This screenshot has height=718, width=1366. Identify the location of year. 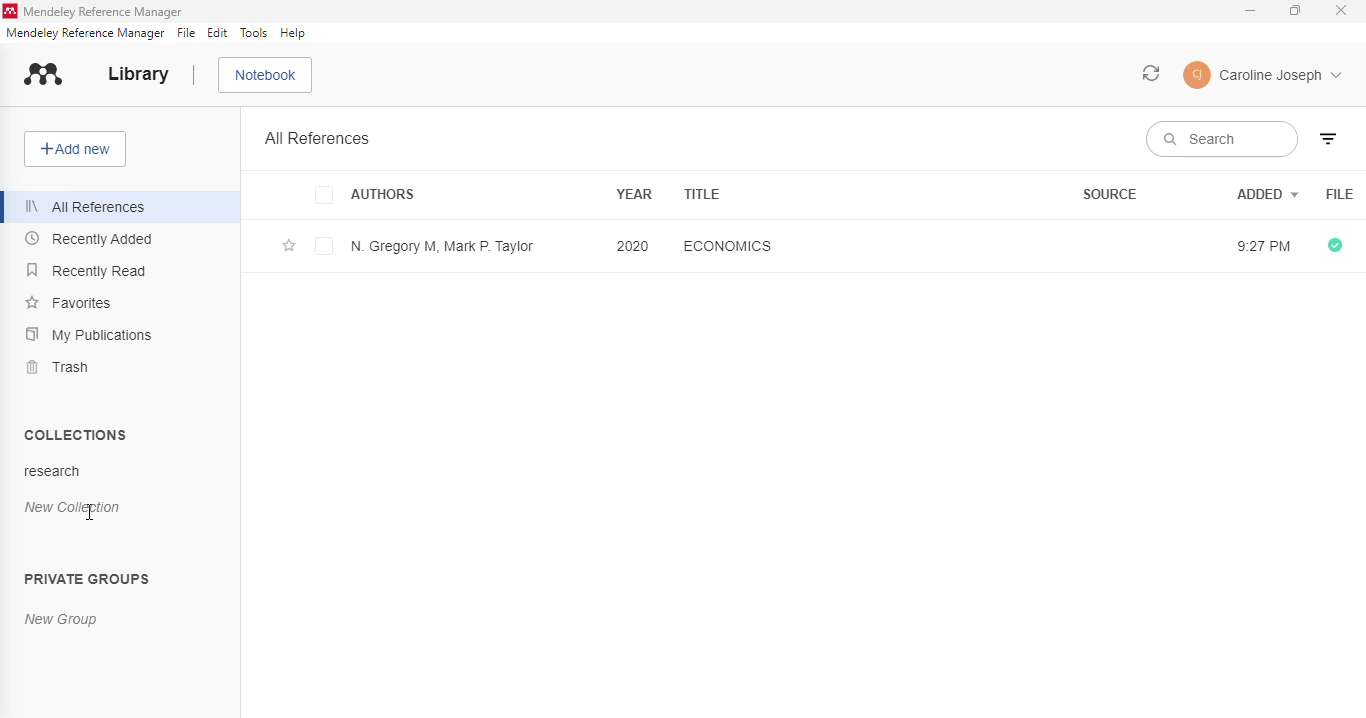
(634, 192).